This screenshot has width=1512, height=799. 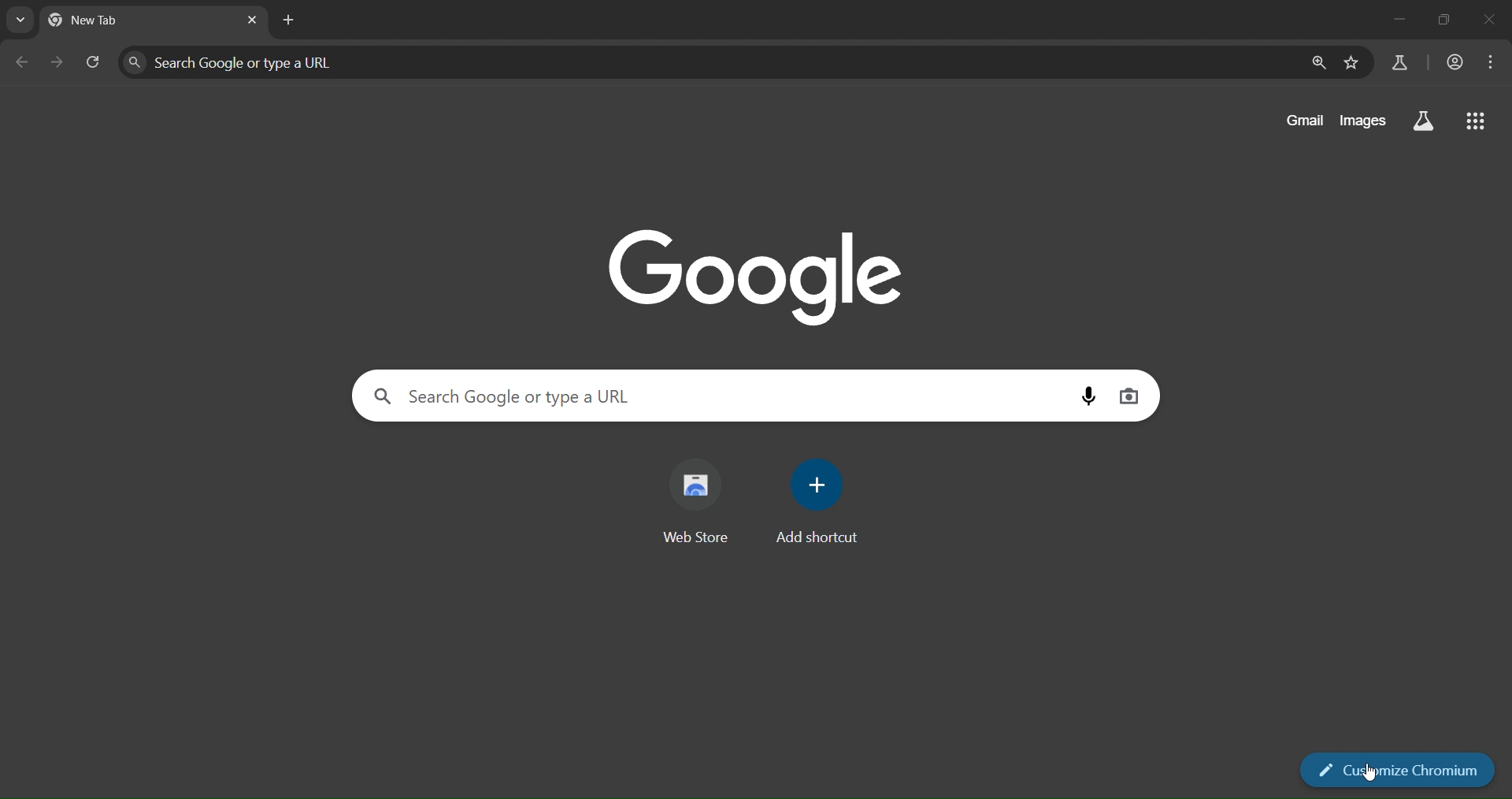 I want to click on current tab, so click(x=109, y=22).